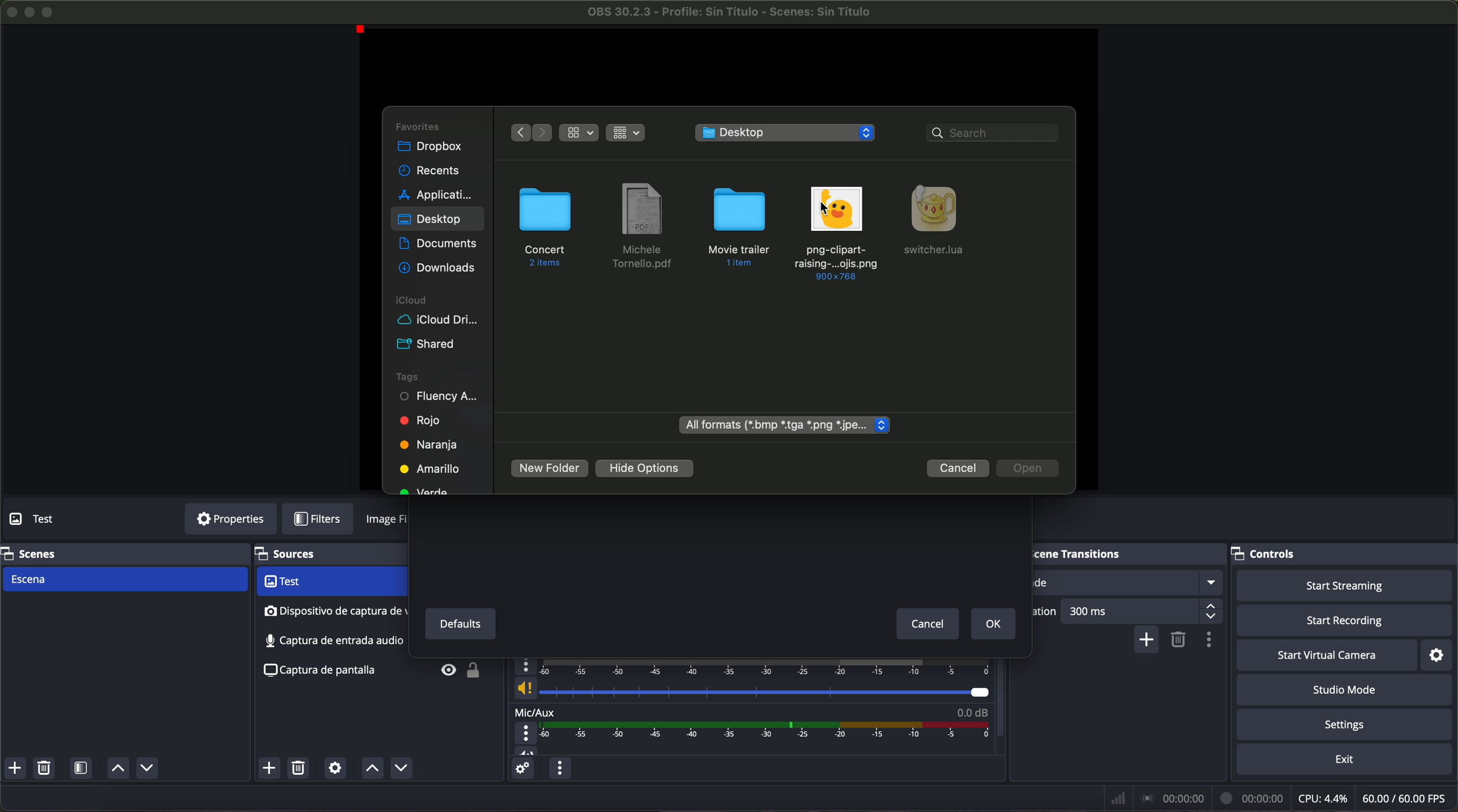  Describe the element at coordinates (1346, 621) in the screenshot. I see `start recording` at that location.